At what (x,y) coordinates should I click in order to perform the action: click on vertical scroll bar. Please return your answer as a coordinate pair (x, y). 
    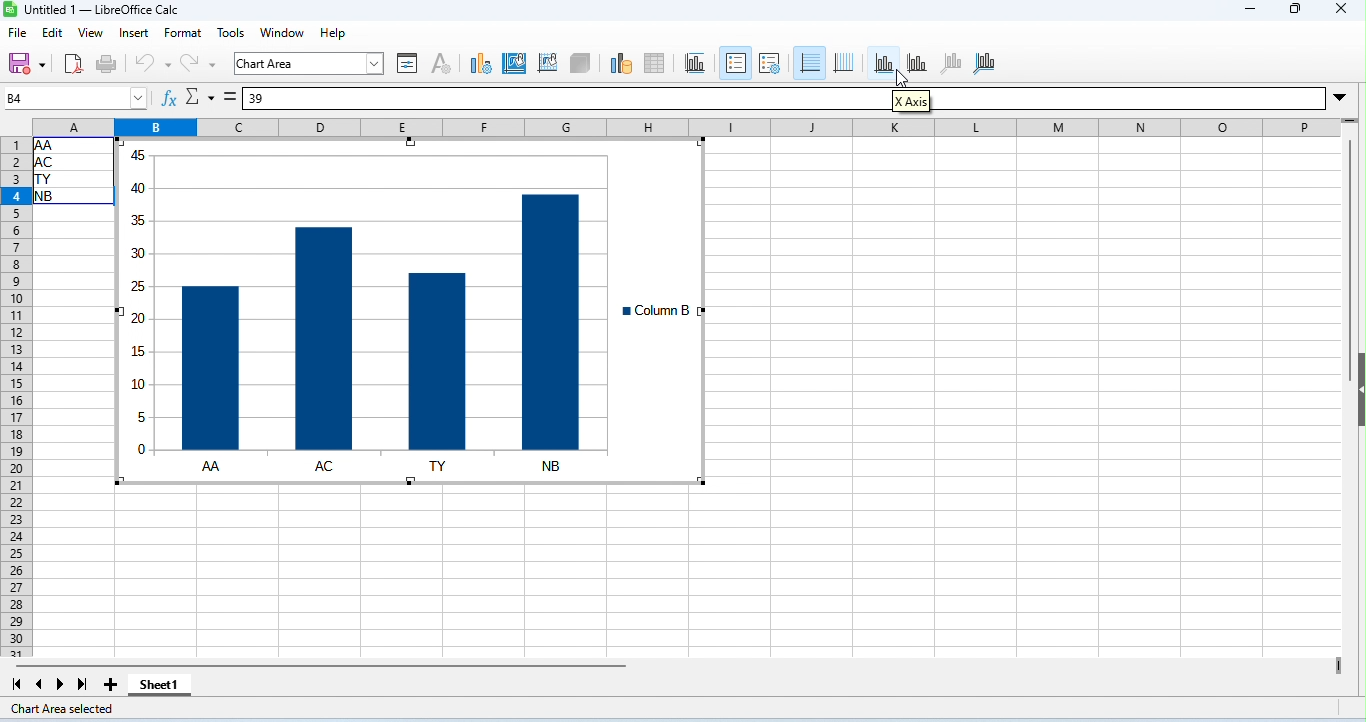
    Looking at the image, I should click on (1347, 263).